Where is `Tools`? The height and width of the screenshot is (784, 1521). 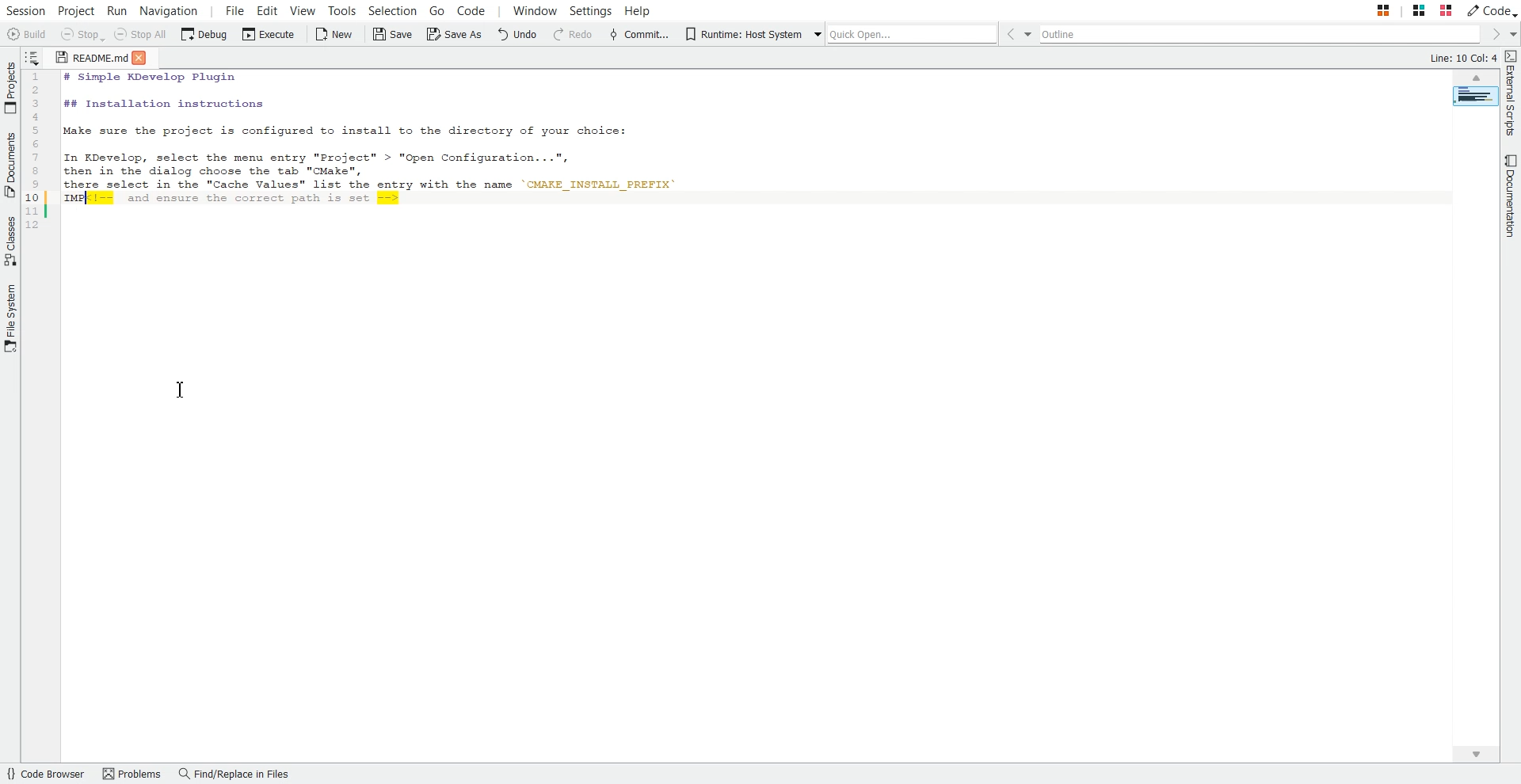
Tools is located at coordinates (343, 10).